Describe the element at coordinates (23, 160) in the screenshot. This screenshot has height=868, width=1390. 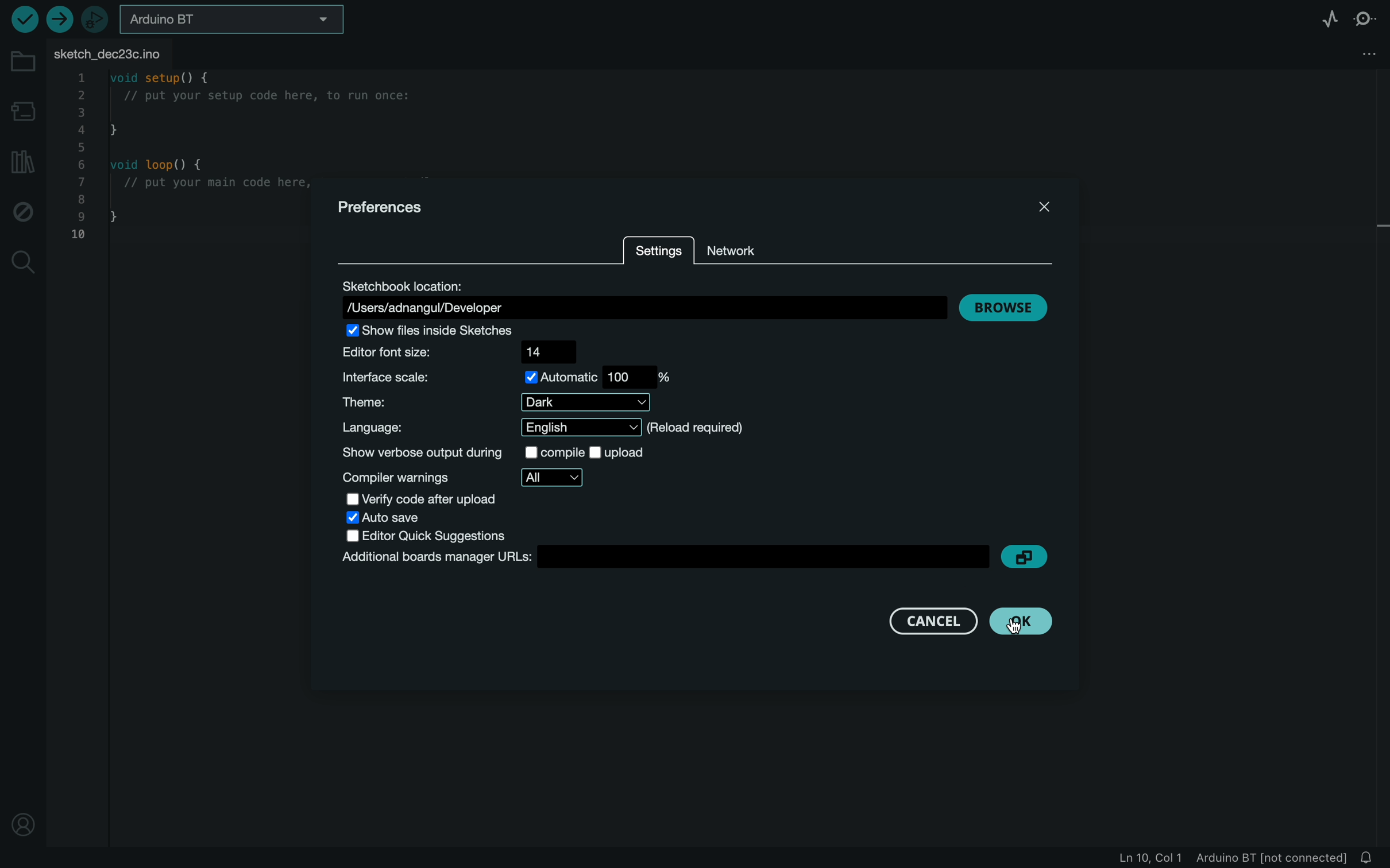
I see `library manager` at that location.